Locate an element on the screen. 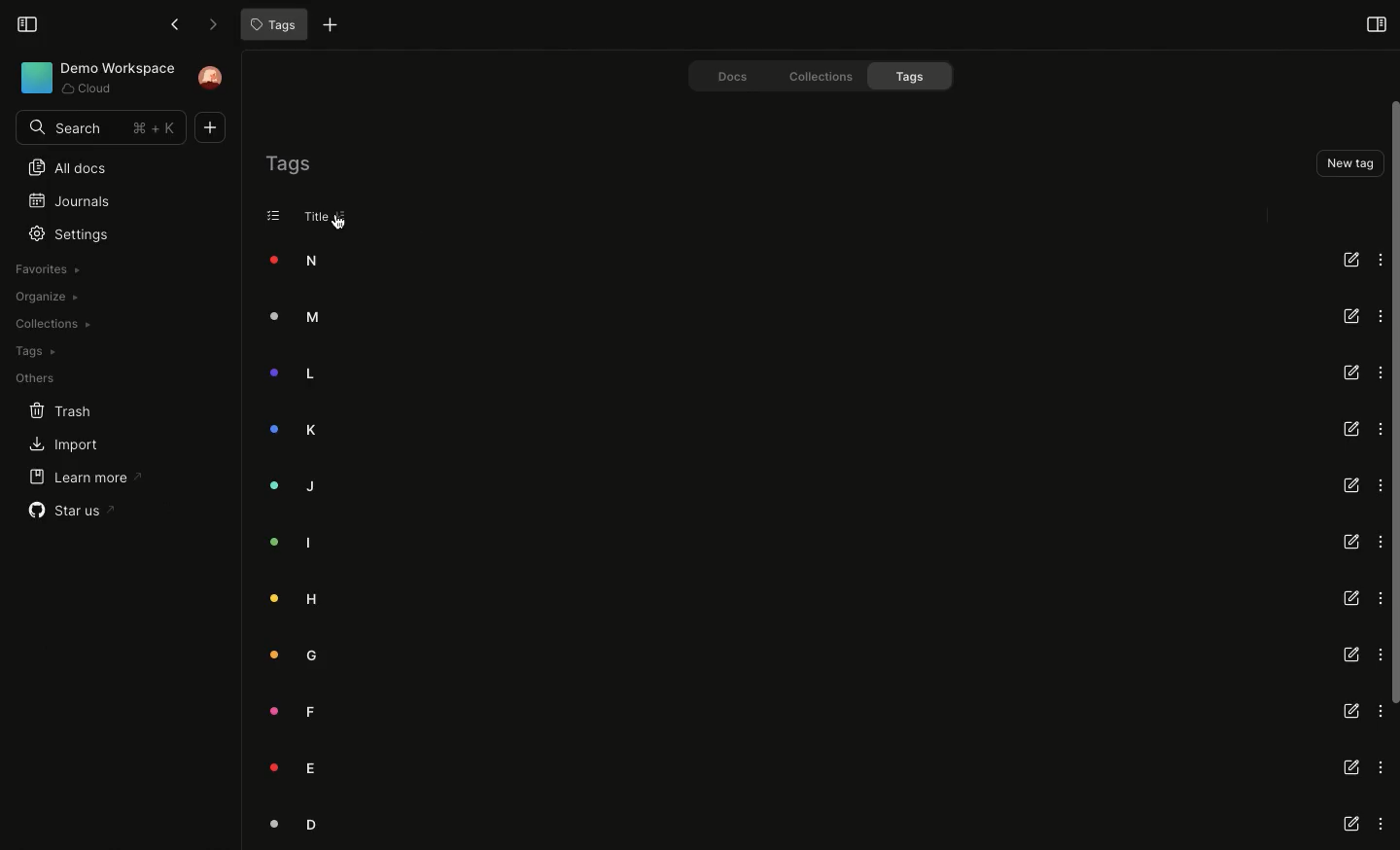  M is located at coordinates (285, 319).